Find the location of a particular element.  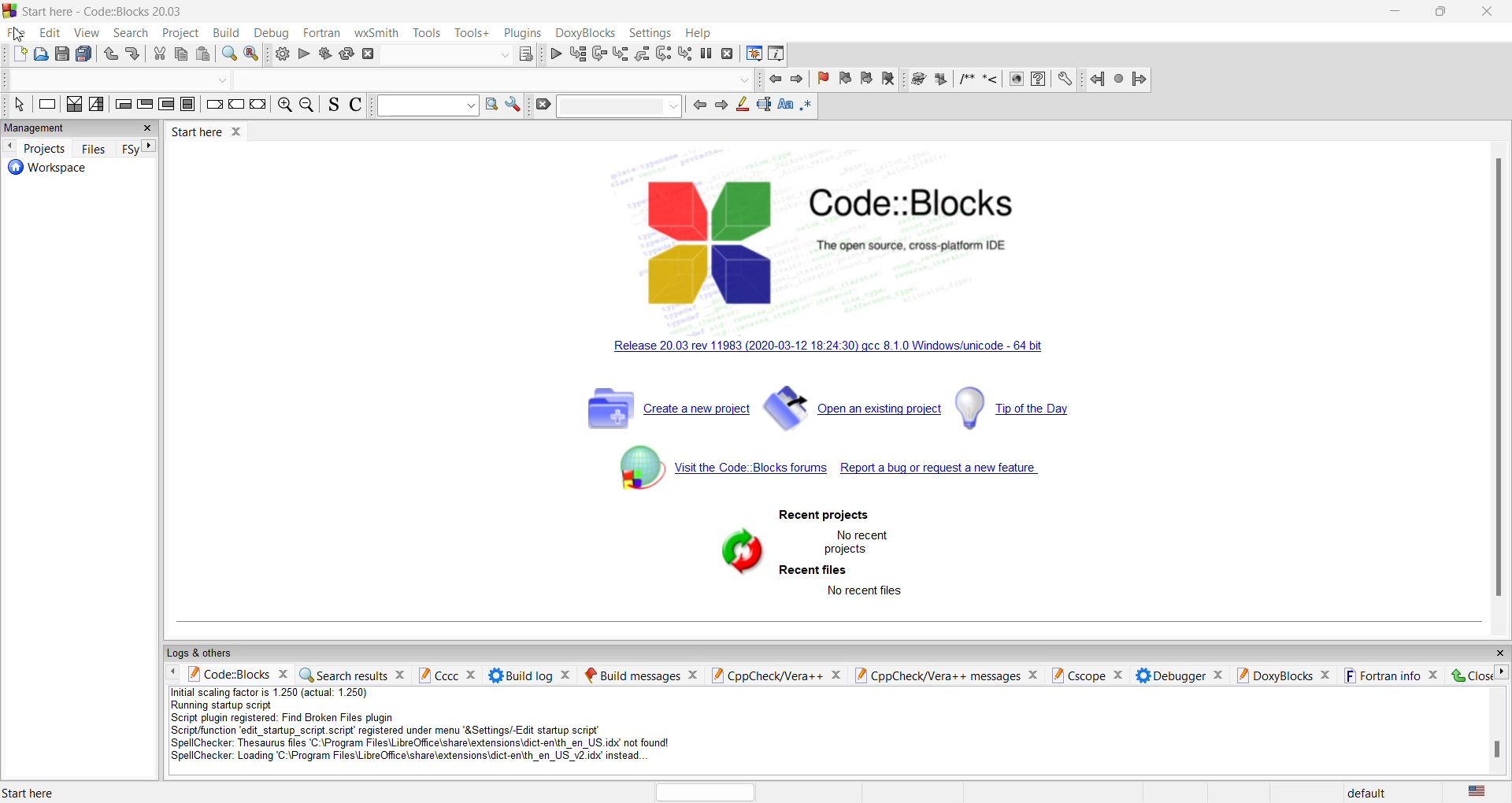

return instruction is located at coordinates (258, 107).